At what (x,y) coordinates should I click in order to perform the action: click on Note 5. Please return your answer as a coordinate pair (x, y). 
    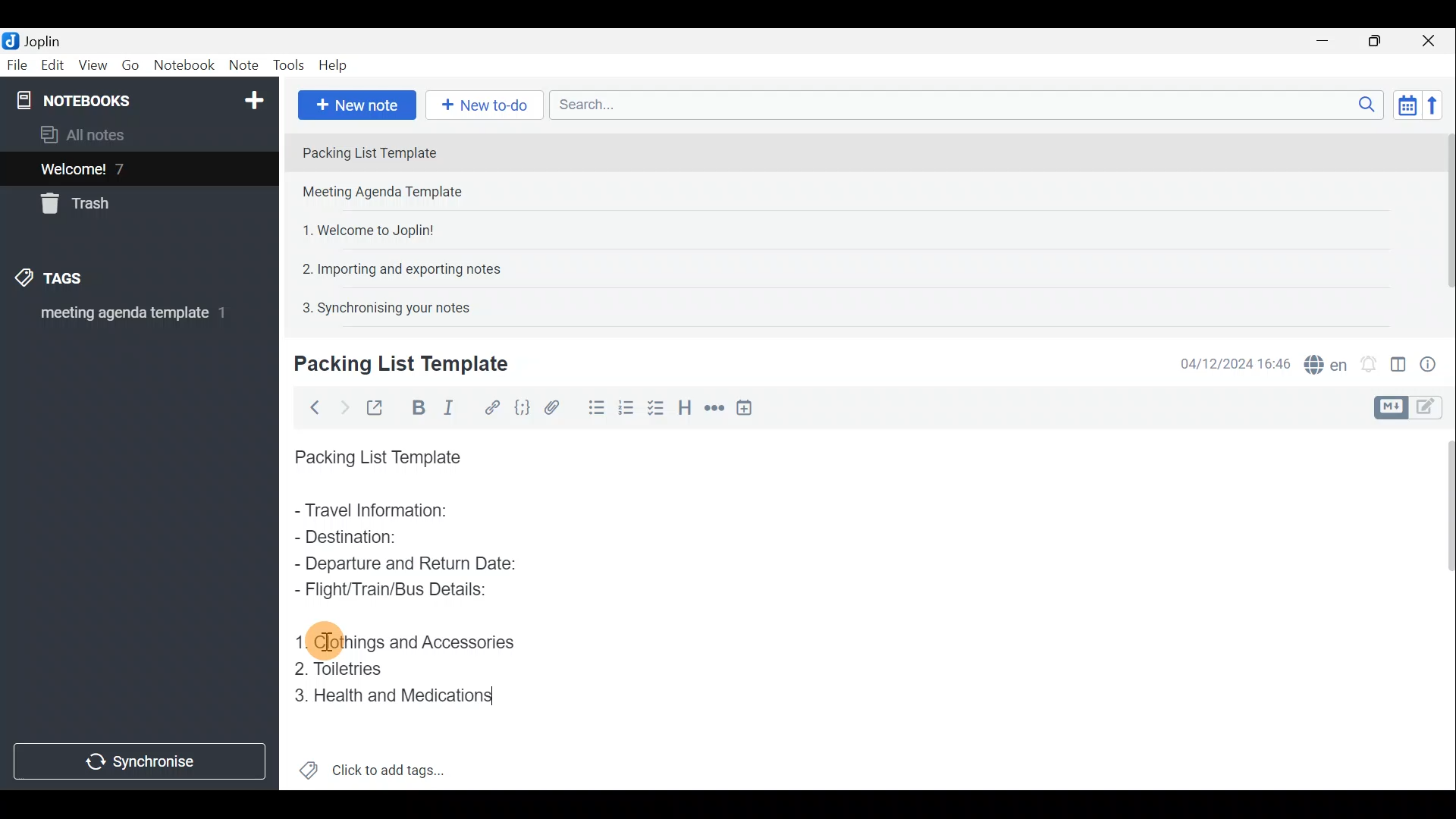
    Looking at the image, I should click on (380, 306).